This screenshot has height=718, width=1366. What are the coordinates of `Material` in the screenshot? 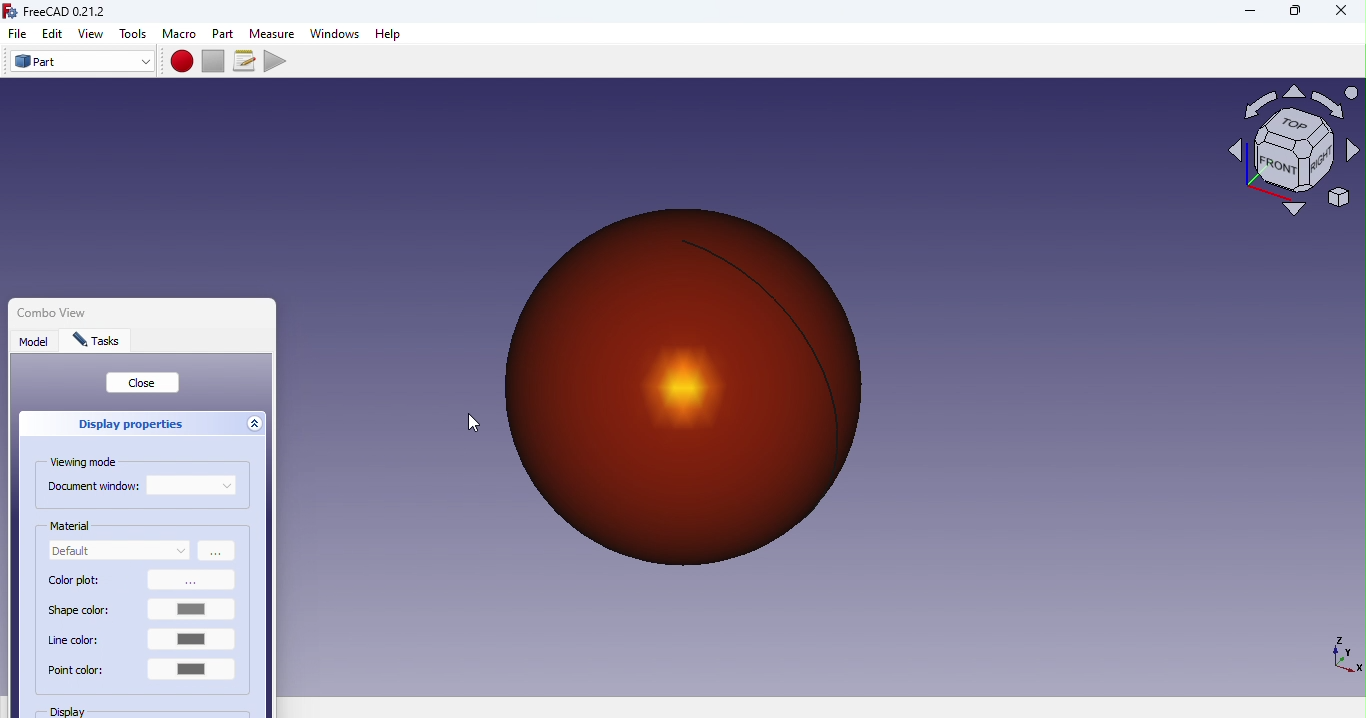 It's located at (73, 526).